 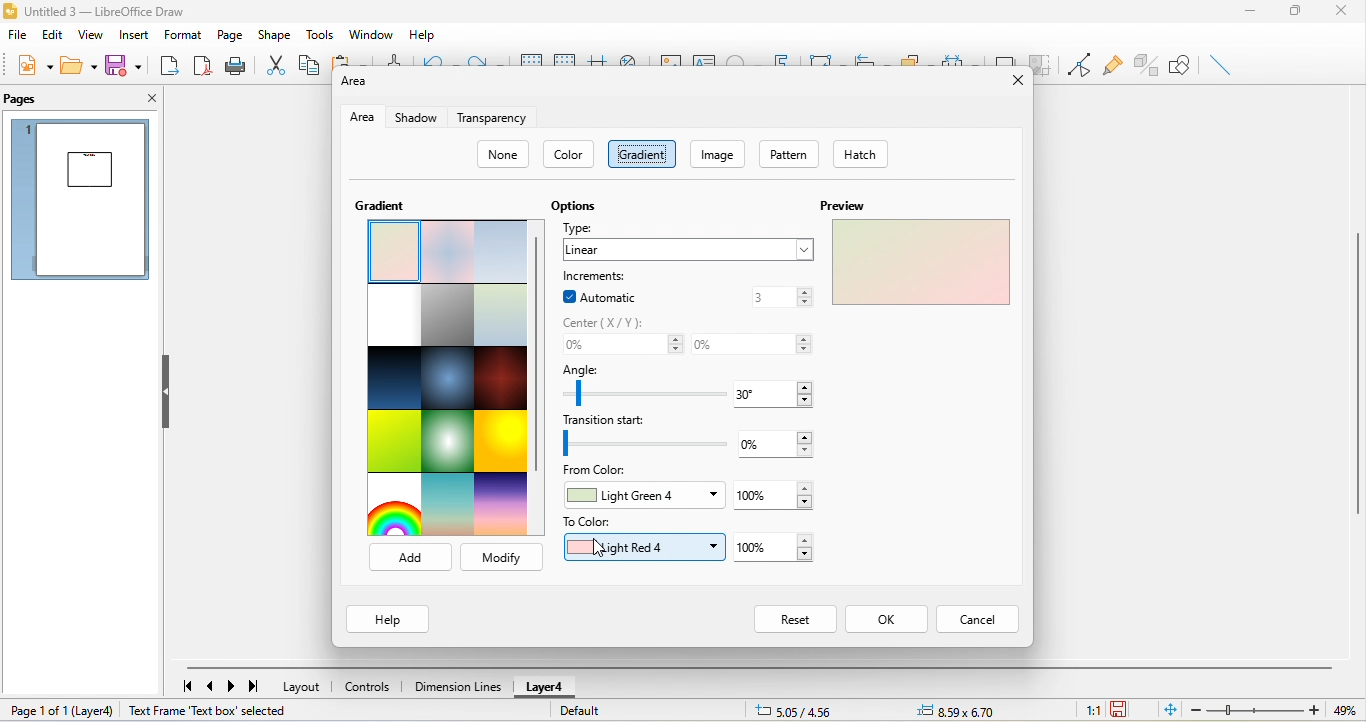 I want to click on light green 4, so click(x=643, y=498).